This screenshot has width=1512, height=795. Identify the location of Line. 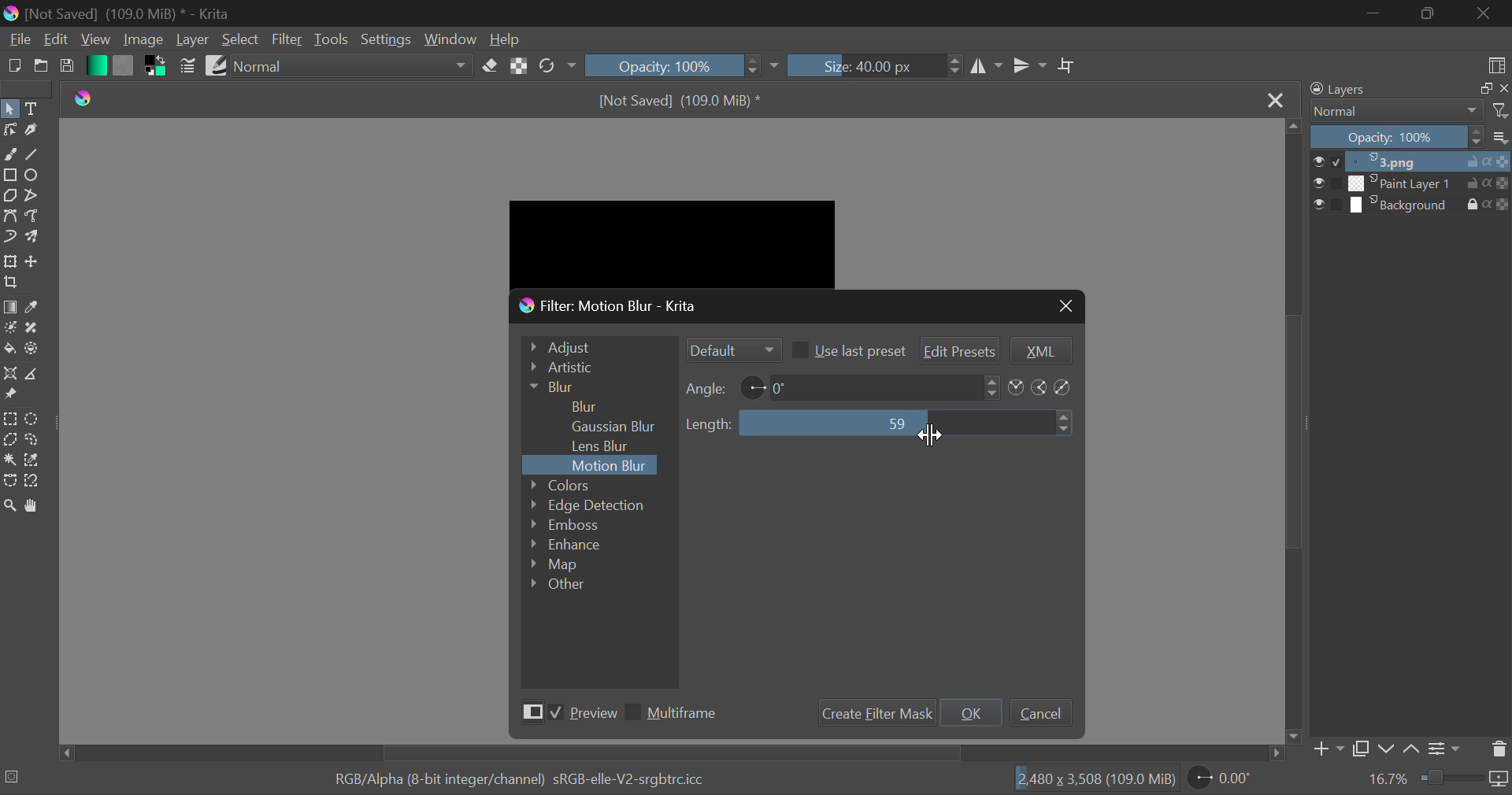
(34, 153).